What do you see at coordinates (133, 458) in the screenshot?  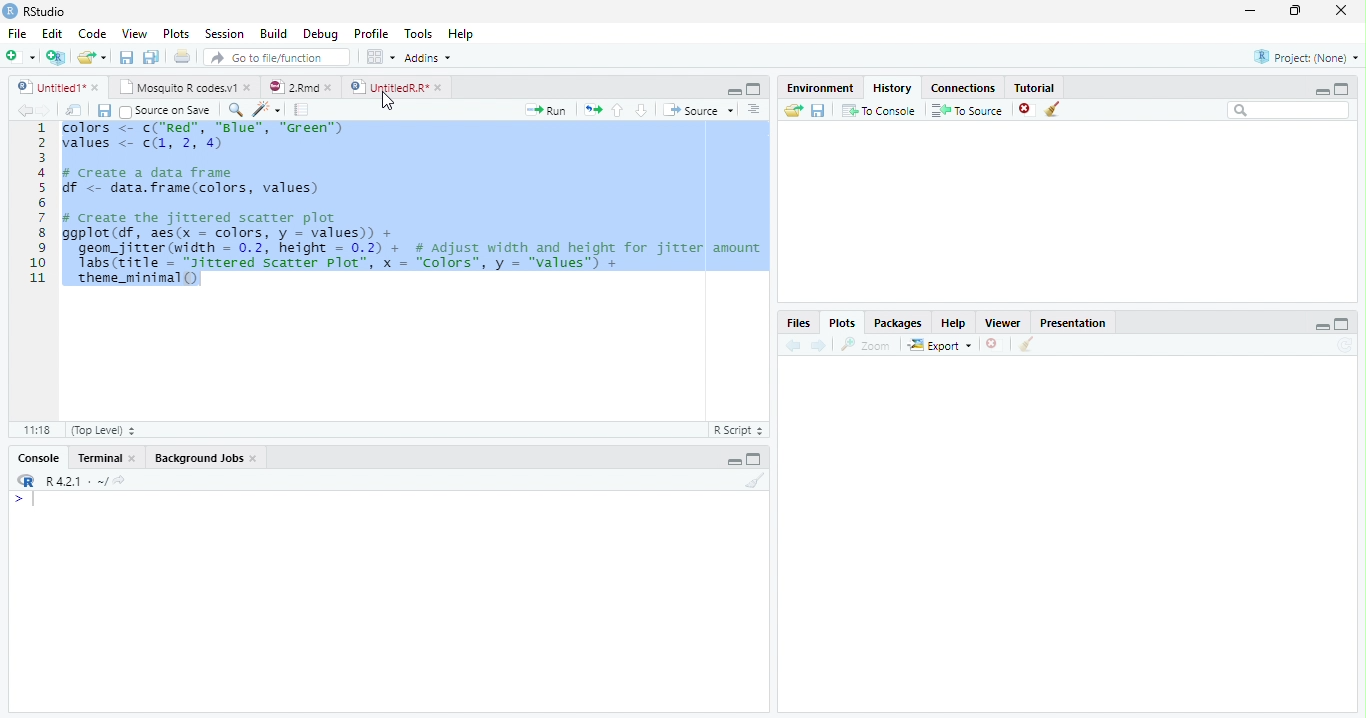 I see `close` at bounding box center [133, 458].